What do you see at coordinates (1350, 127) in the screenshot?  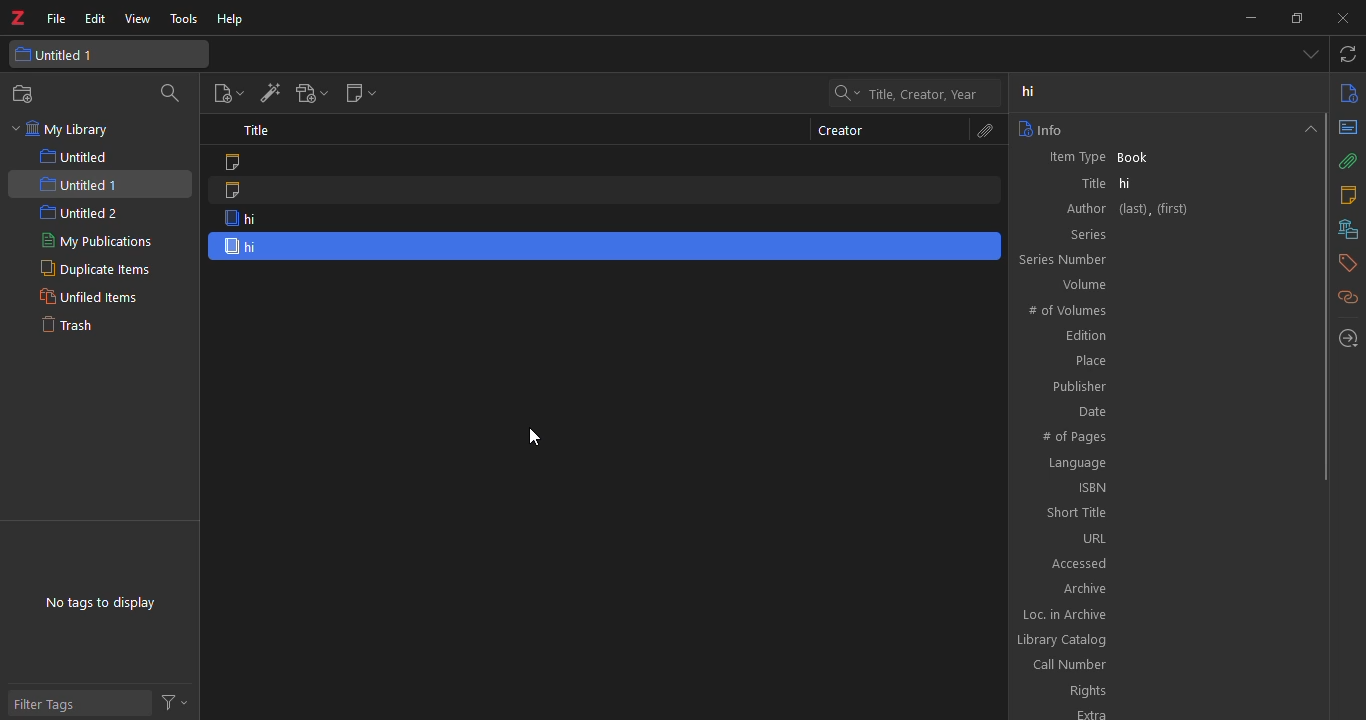 I see `abstract` at bounding box center [1350, 127].